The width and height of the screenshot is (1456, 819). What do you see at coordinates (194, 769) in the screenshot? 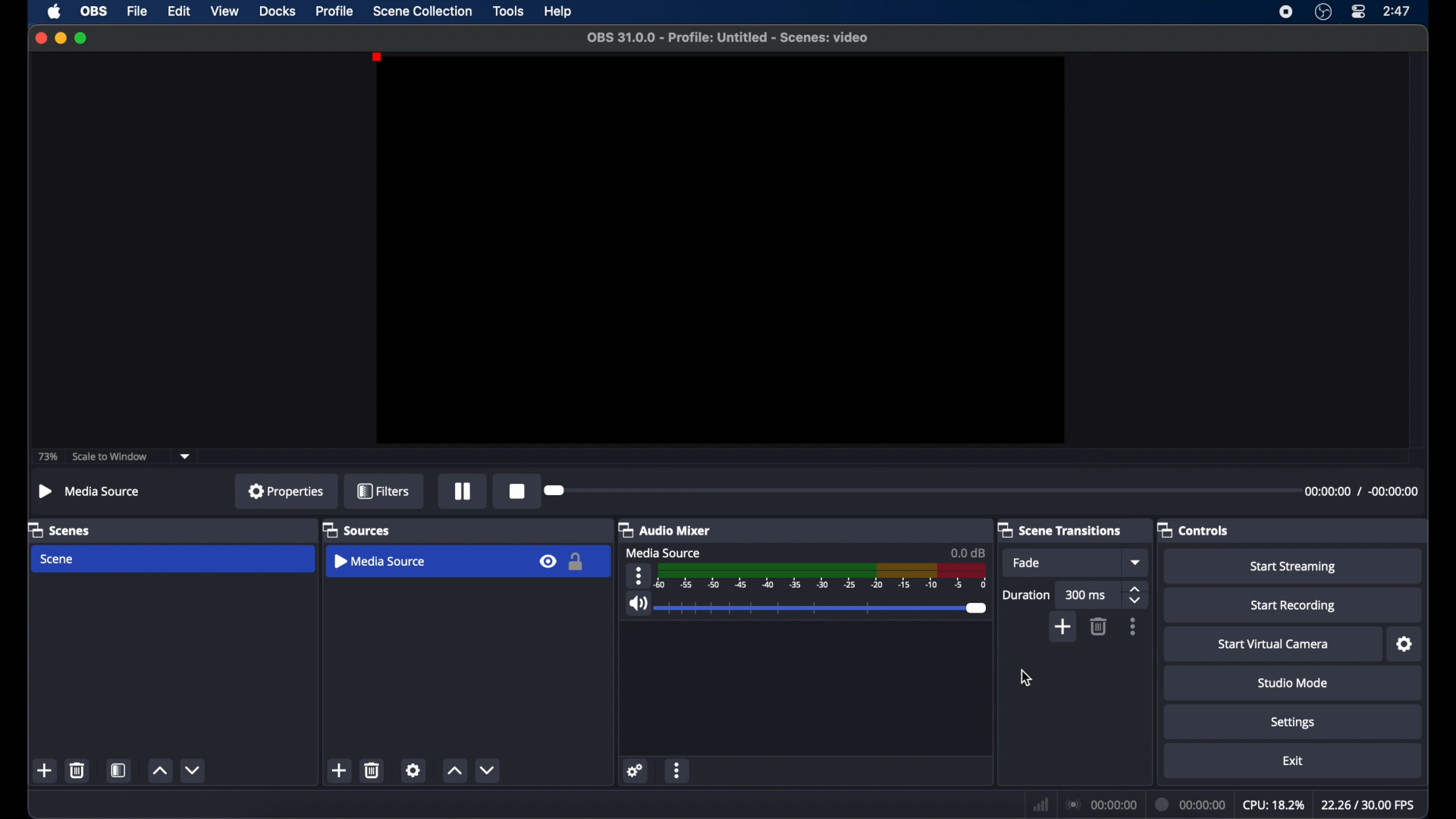
I see `decrement button` at bounding box center [194, 769].